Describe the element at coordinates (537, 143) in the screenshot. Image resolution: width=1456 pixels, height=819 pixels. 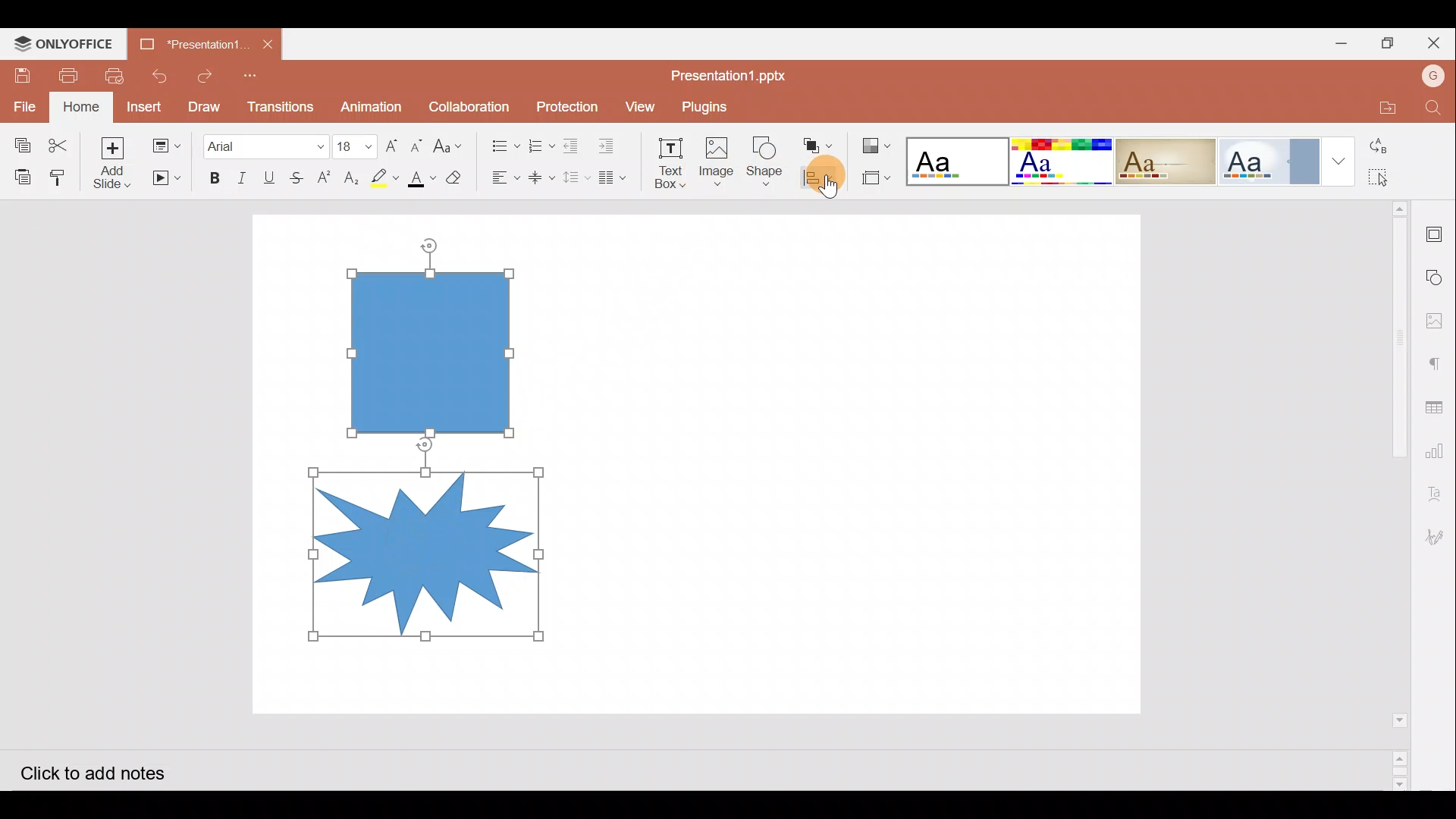
I see `Numbering` at that location.